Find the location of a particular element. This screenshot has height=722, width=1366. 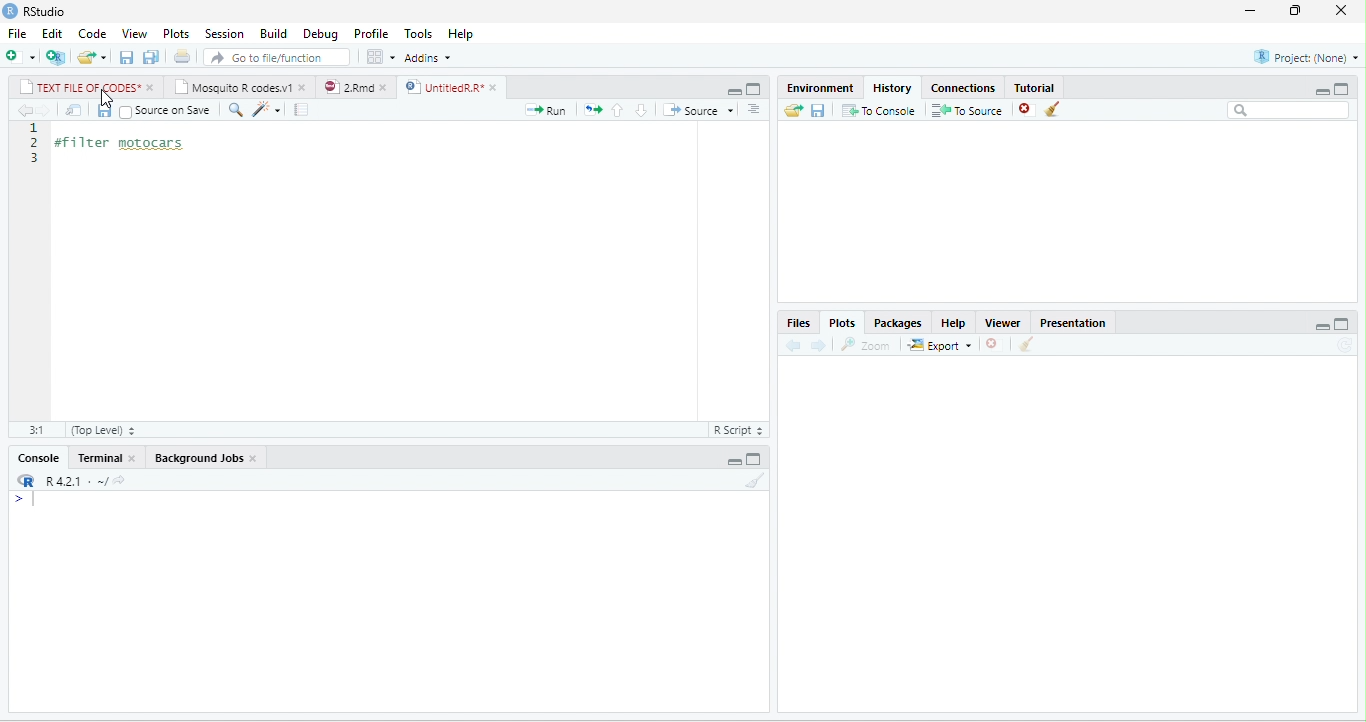

minimize is located at coordinates (734, 461).